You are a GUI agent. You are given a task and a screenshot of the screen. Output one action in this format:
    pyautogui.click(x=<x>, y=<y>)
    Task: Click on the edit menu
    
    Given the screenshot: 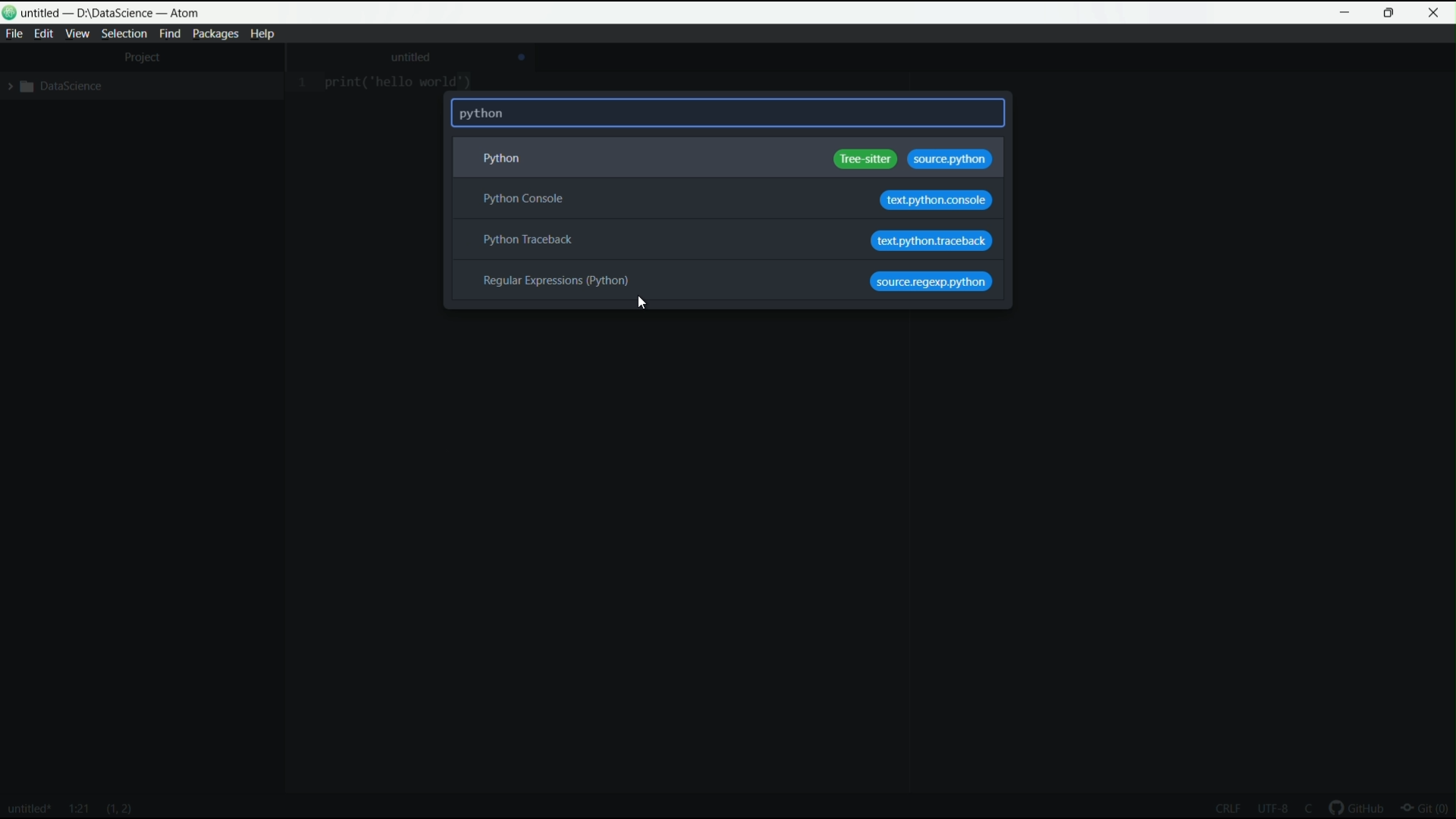 What is the action you would take?
    pyautogui.click(x=44, y=34)
    